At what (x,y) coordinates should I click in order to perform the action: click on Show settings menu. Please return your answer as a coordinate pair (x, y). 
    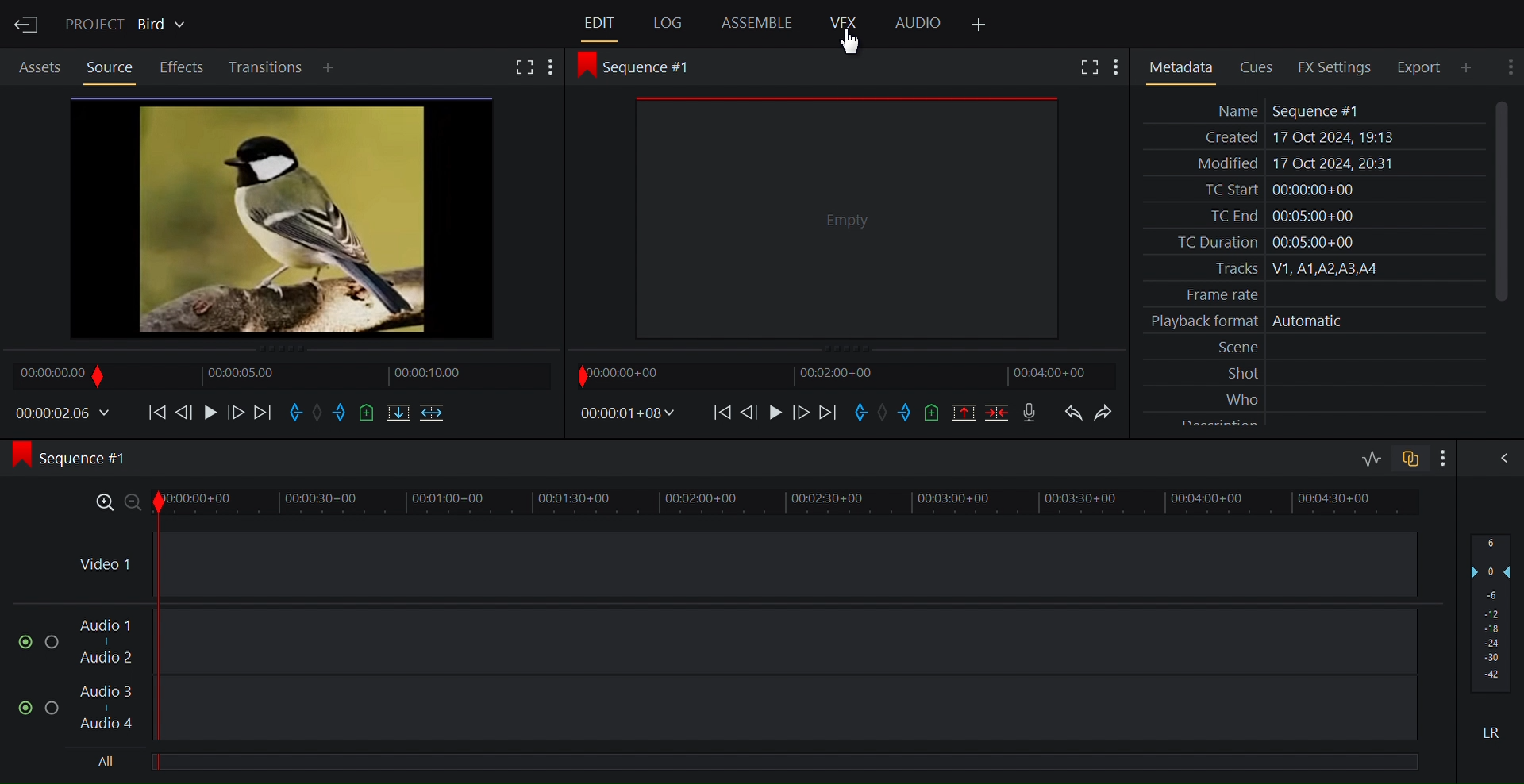
    Looking at the image, I should click on (1114, 70).